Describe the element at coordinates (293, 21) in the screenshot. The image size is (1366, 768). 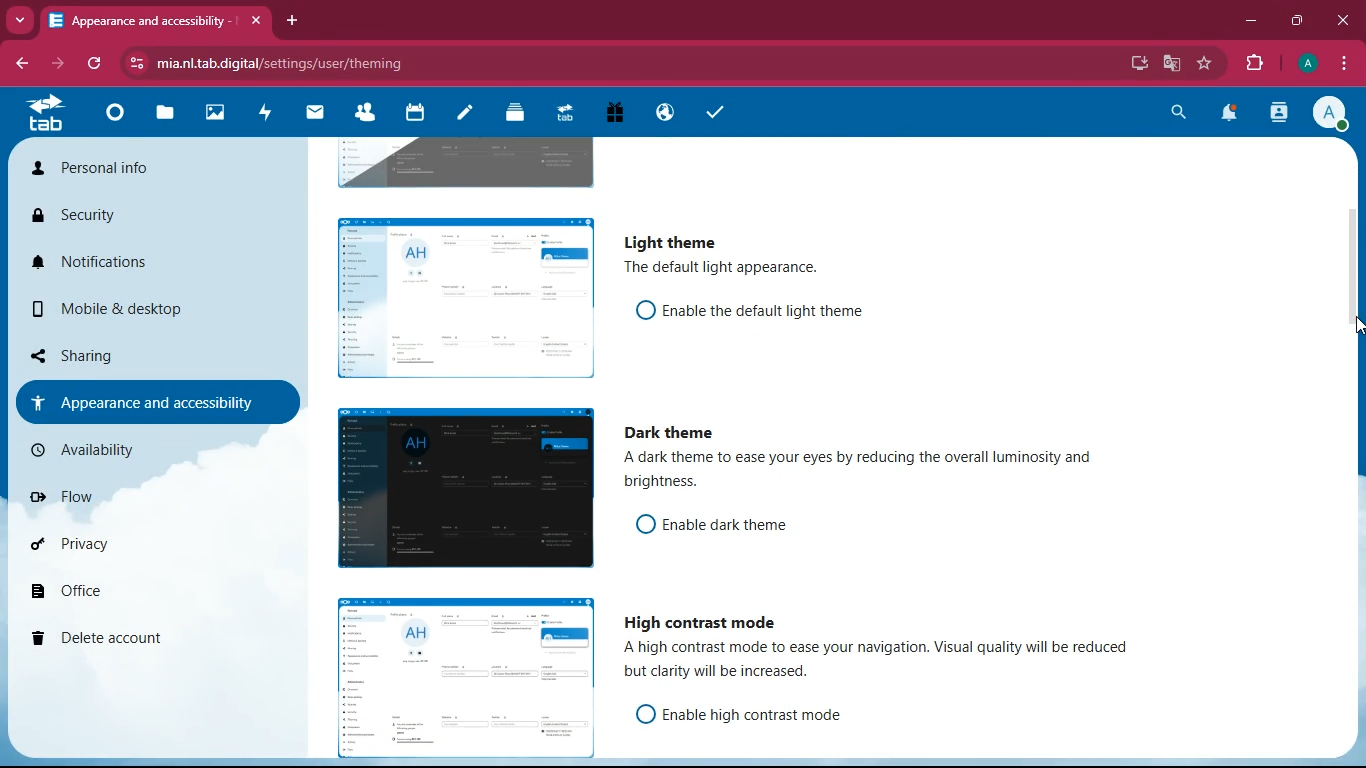
I see `add tab` at that location.